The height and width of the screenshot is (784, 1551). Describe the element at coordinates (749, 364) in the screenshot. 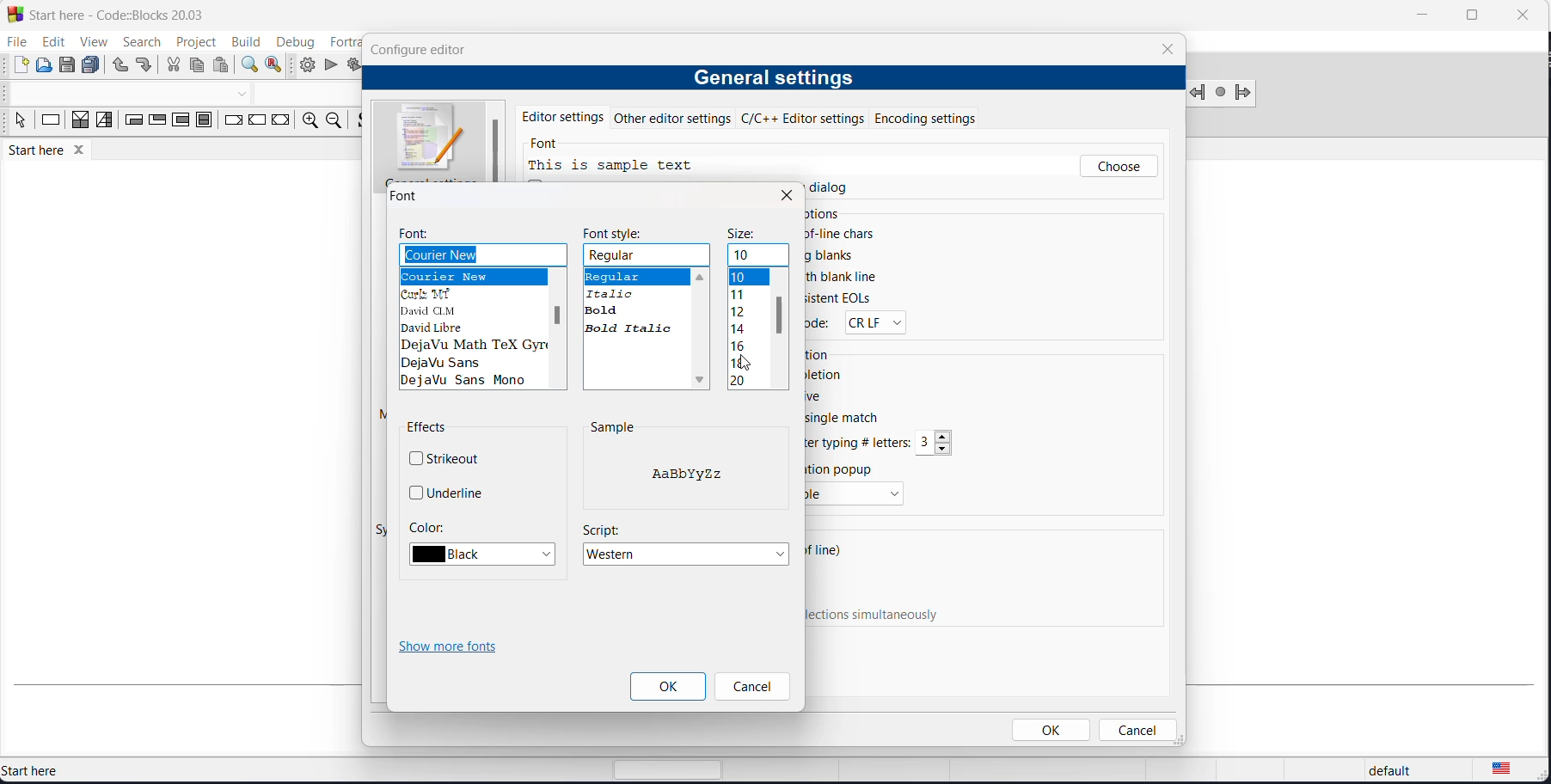

I see `cursor` at that location.